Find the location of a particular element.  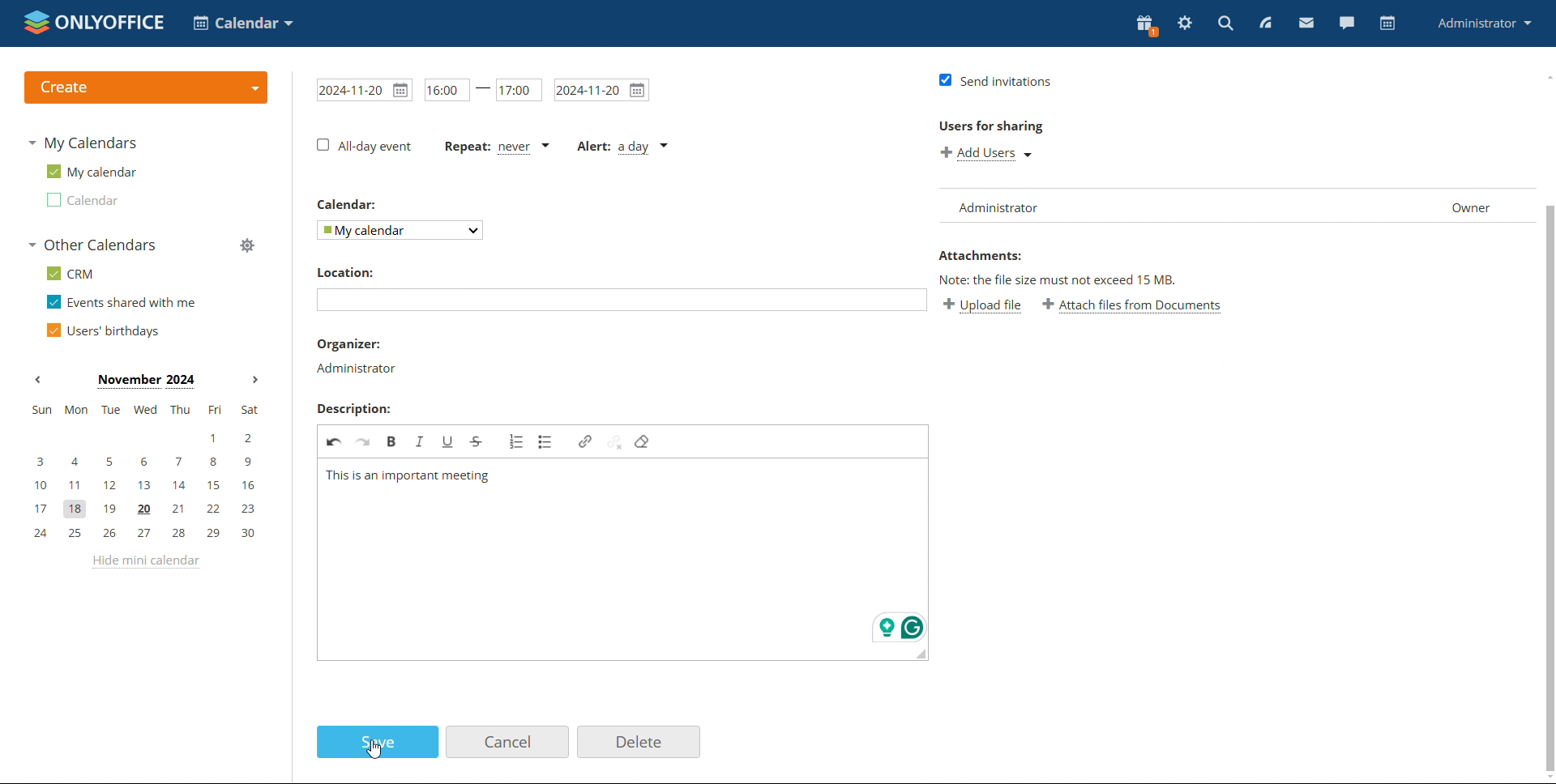

cancel is located at coordinates (507, 742).